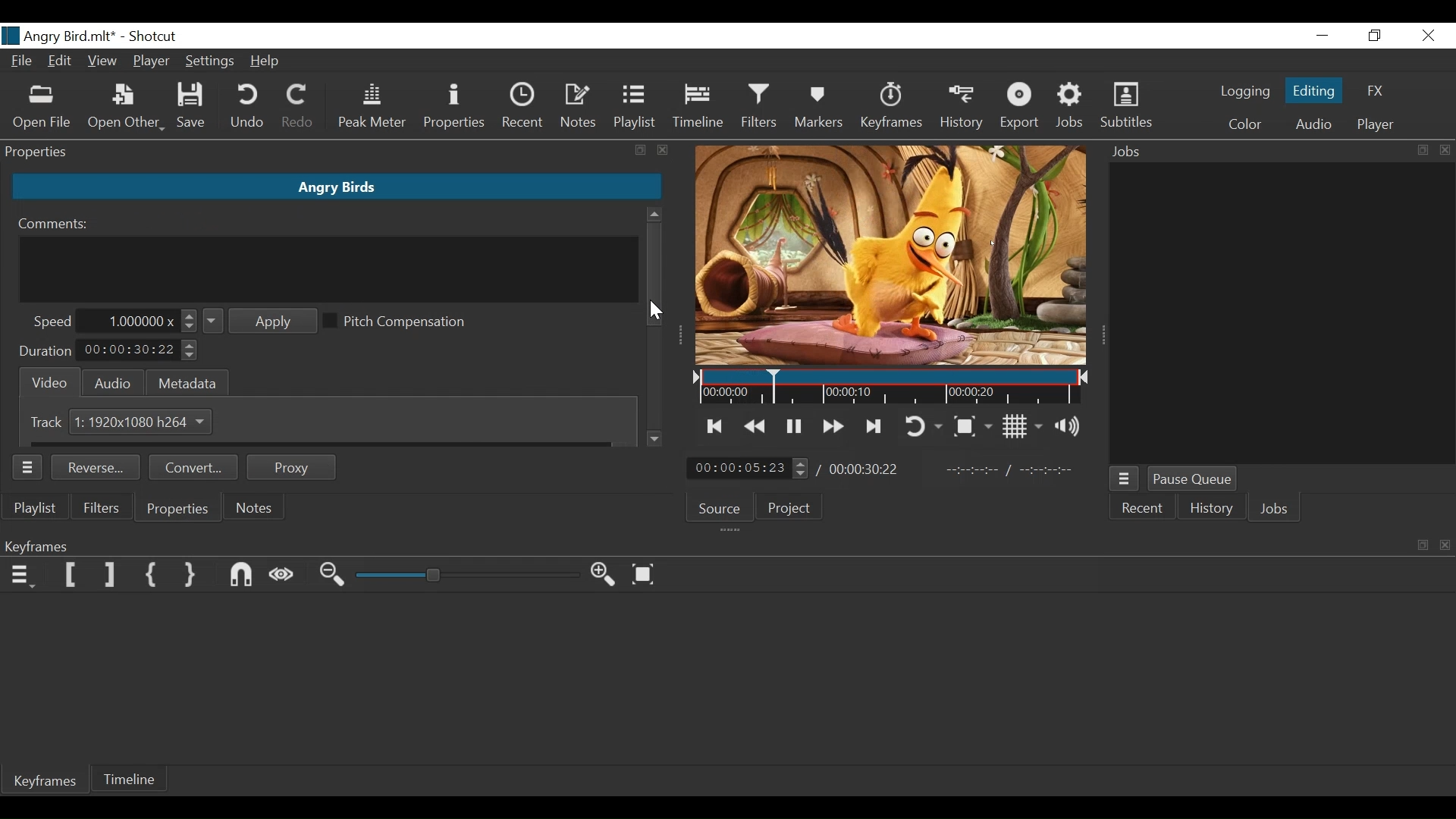  I want to click on Size, so click(151, 423).